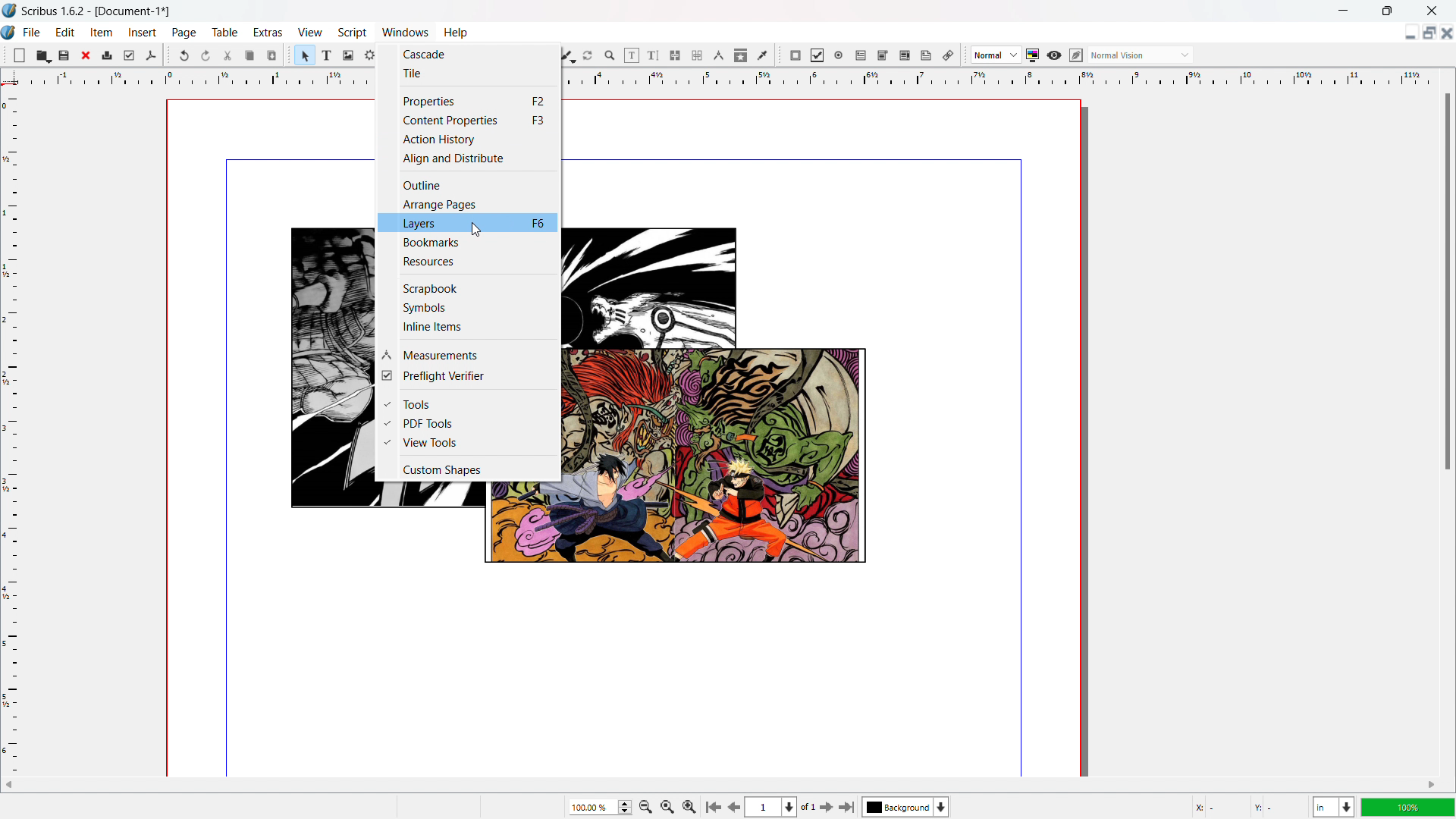 The image size is (1456, 819). I want to click on pdf list box, so click(905, 55).